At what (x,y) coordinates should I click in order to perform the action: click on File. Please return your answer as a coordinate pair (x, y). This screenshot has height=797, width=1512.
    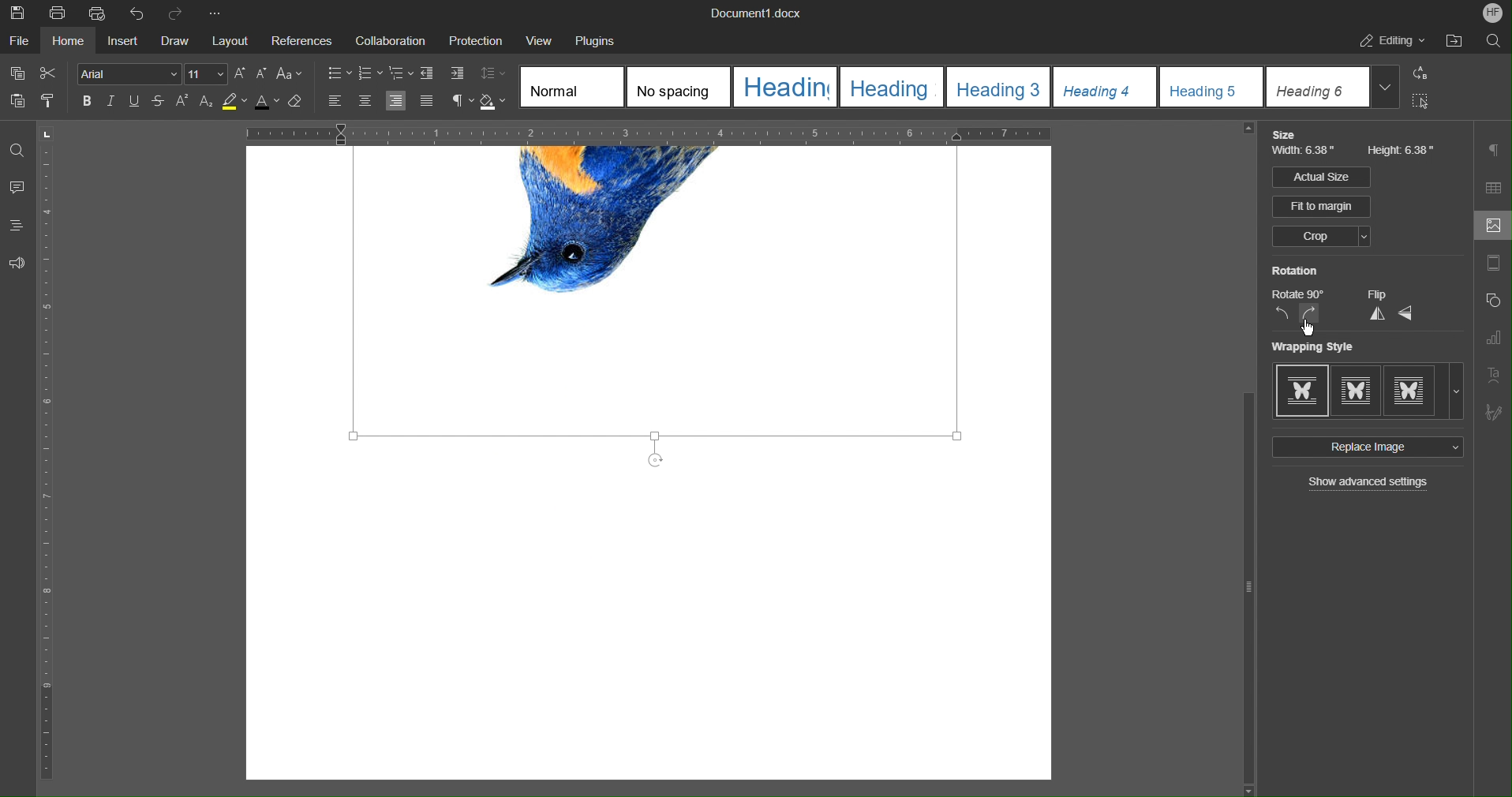
    Looking at the image, I should click on (19, 39).